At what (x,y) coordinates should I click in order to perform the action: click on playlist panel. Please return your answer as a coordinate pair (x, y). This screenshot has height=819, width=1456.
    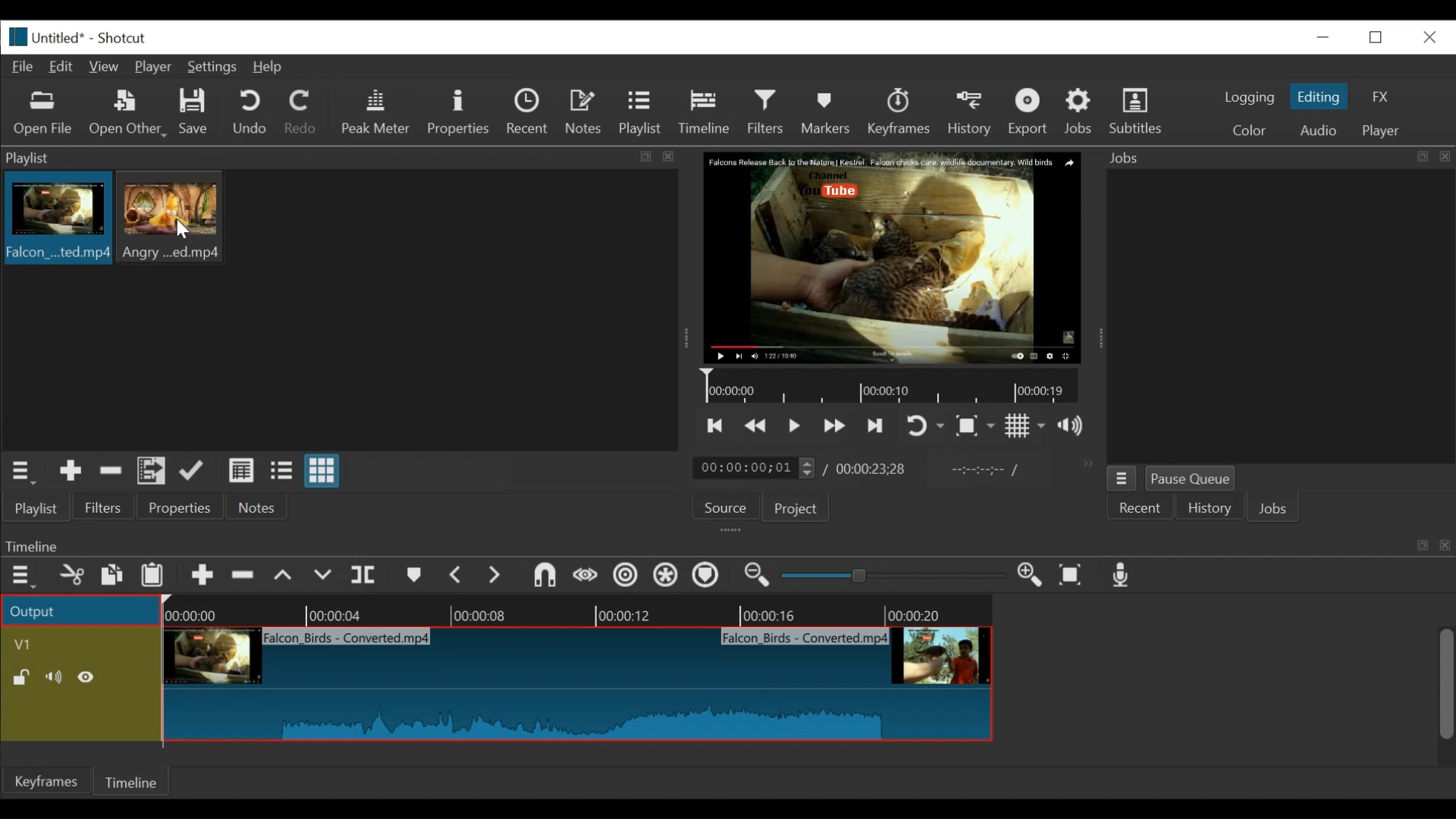
    Looking at the image, I should click on (334, 158).